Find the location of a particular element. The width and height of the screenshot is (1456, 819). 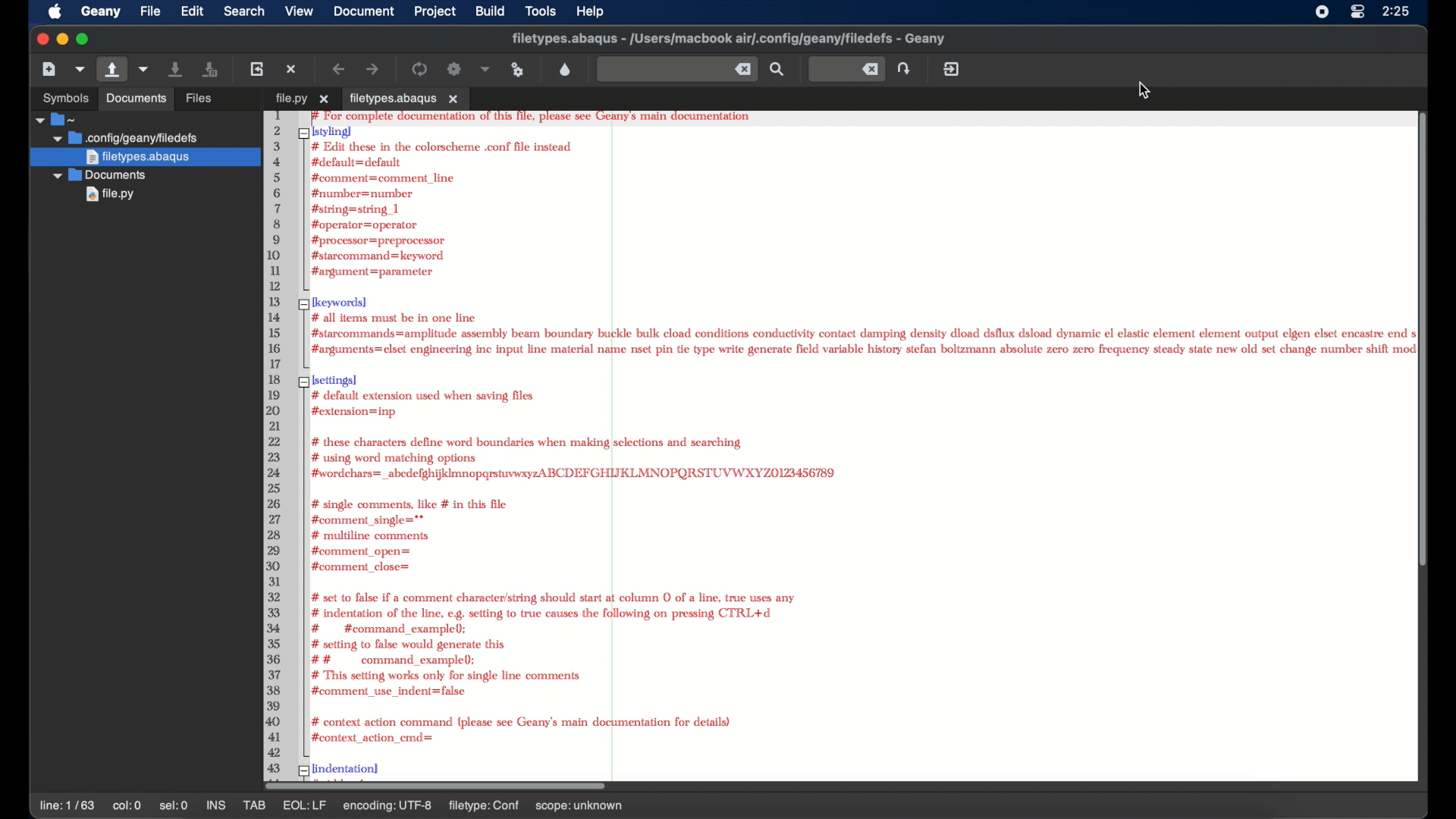

screen recorder icon is located at coordinates (1323, 11).